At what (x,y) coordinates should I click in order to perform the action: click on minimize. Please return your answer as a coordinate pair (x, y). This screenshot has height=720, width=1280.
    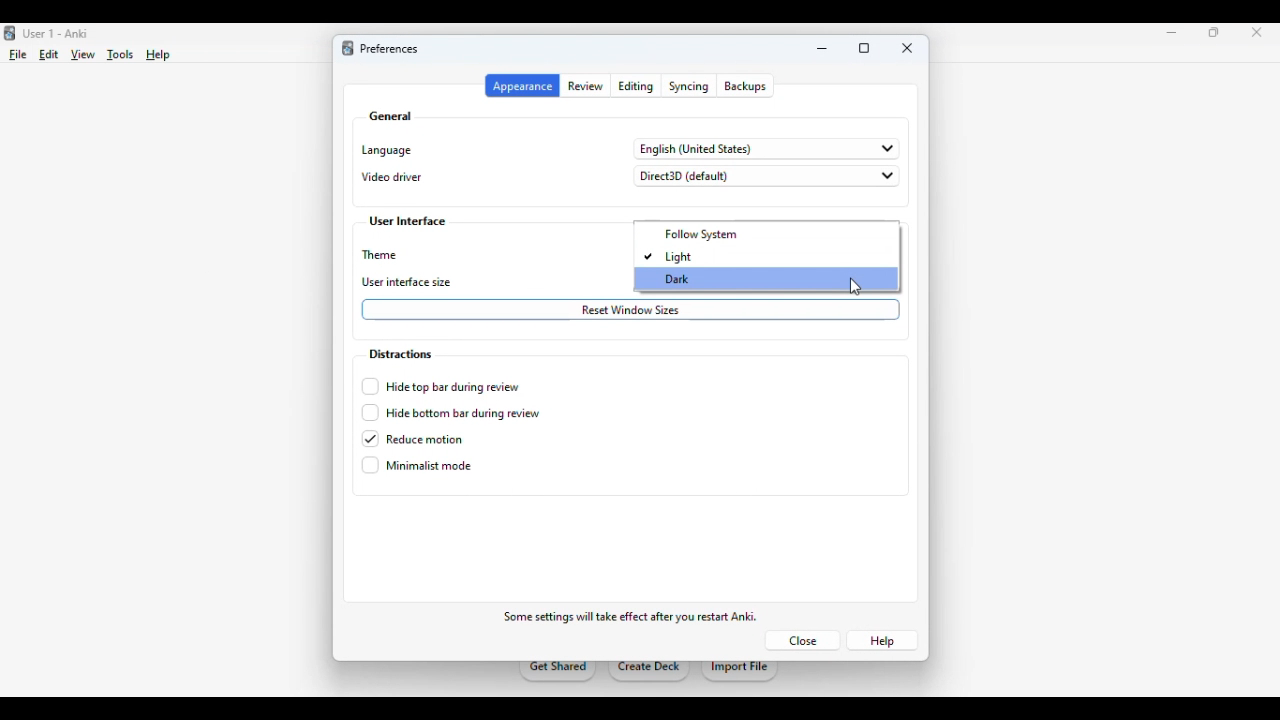
    Looking at the image, I should click on (1172, 33).